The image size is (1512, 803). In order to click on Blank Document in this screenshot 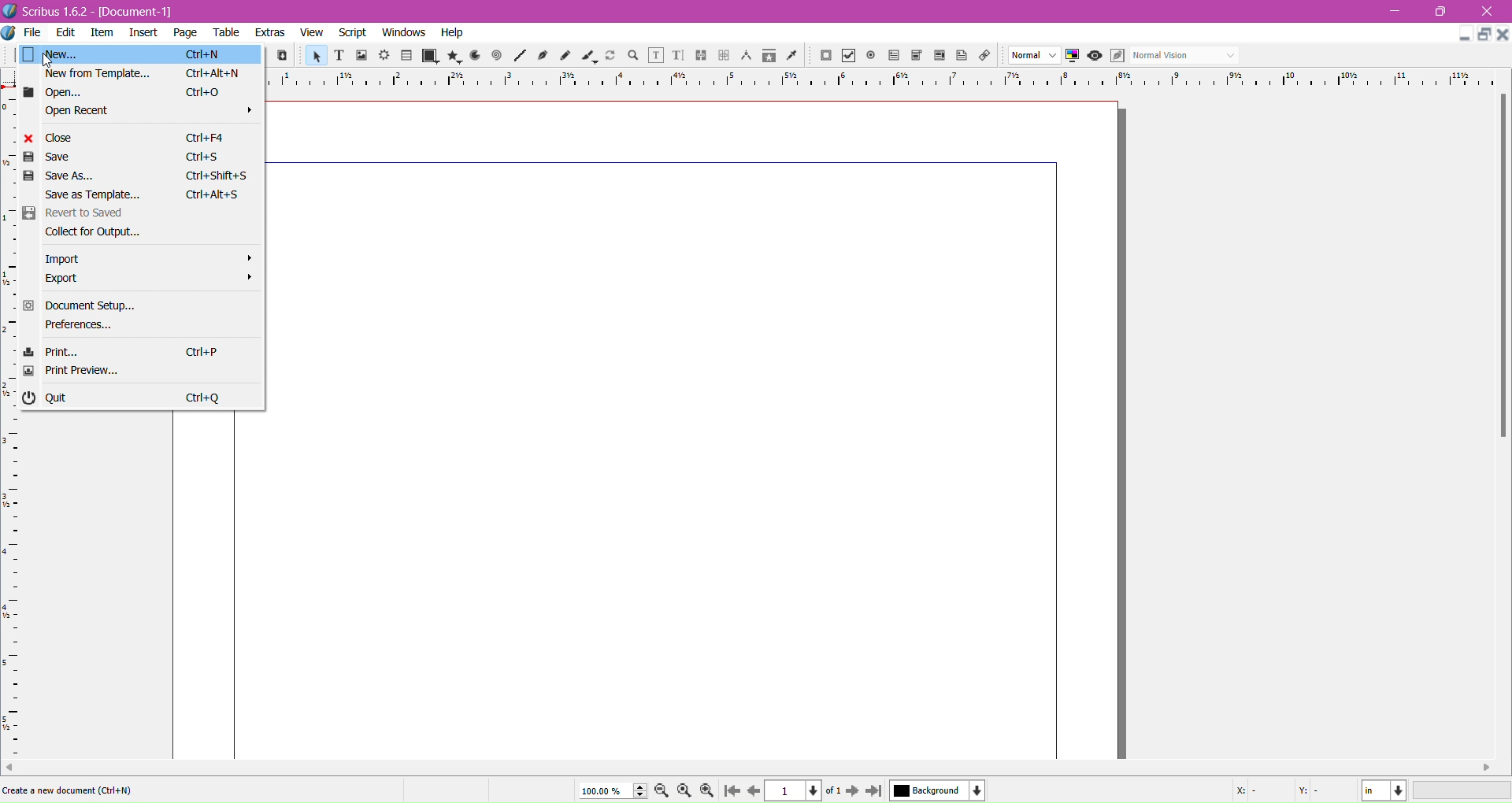, I will do `click(696, 431)`.